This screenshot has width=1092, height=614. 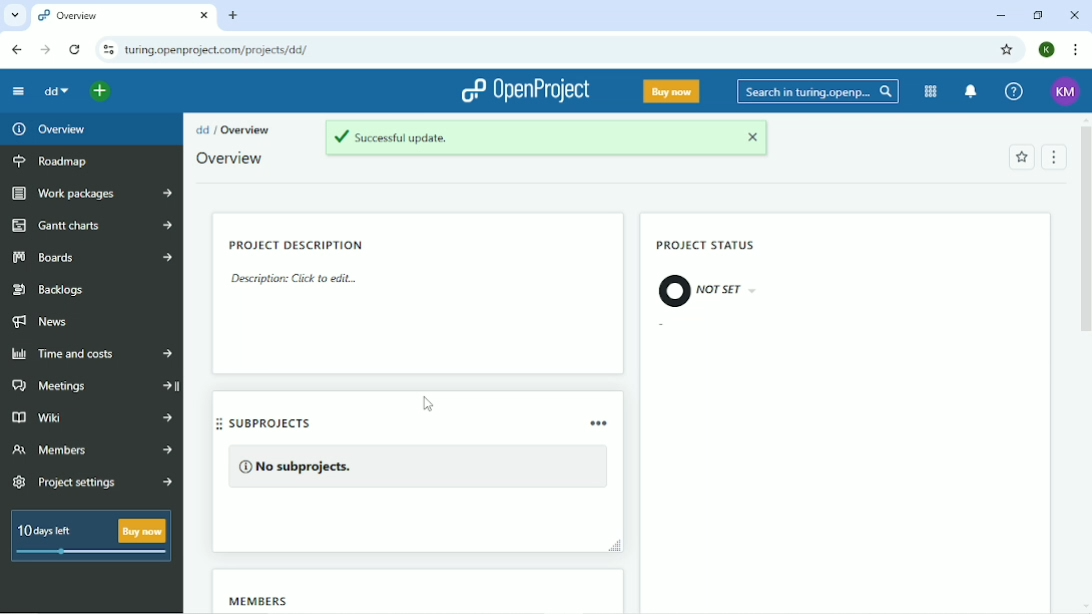 I want to click on Not set, so click(x=711, y=291).